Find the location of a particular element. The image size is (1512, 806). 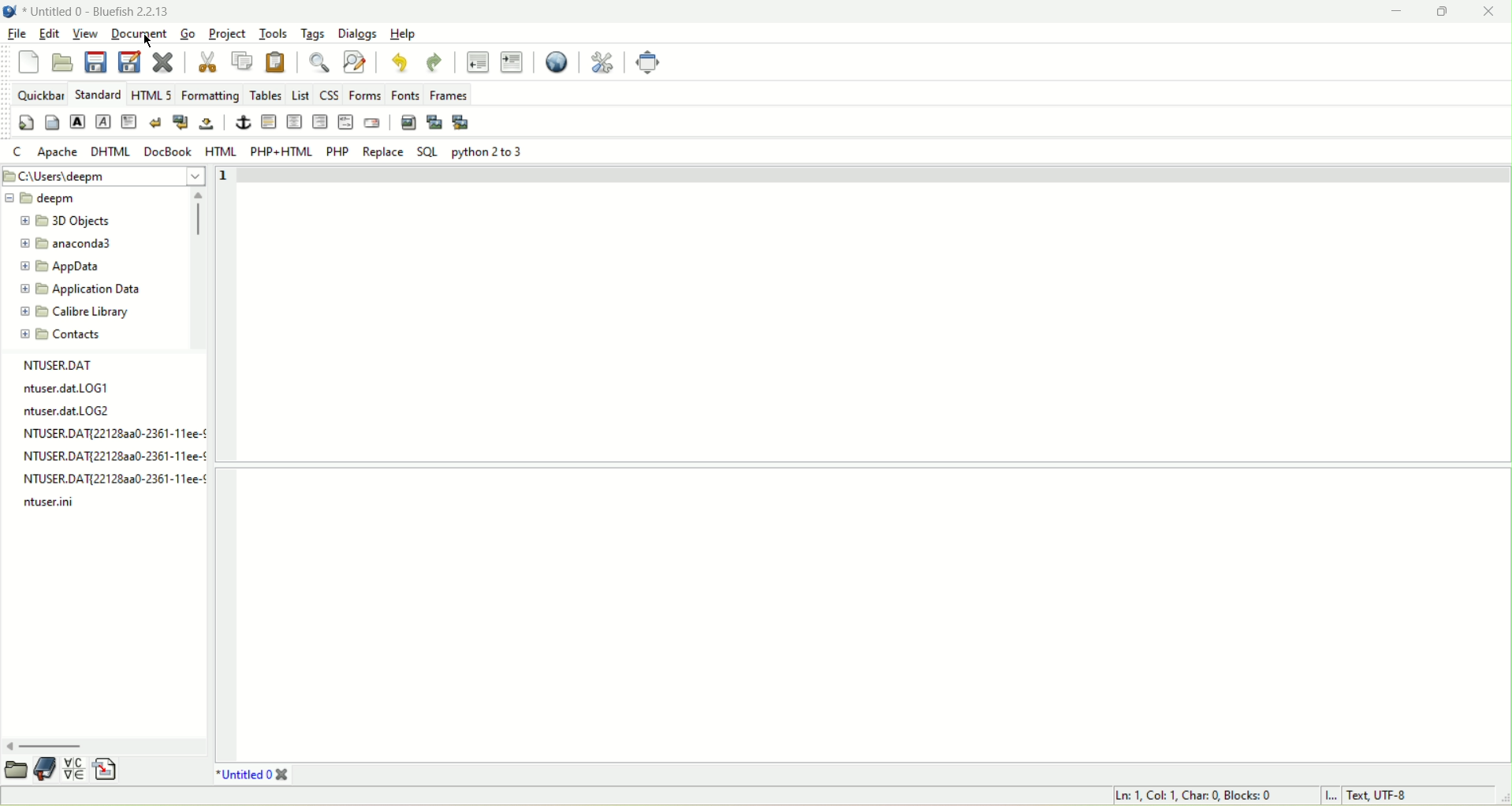

cursor is located at coordinates (148, 39).